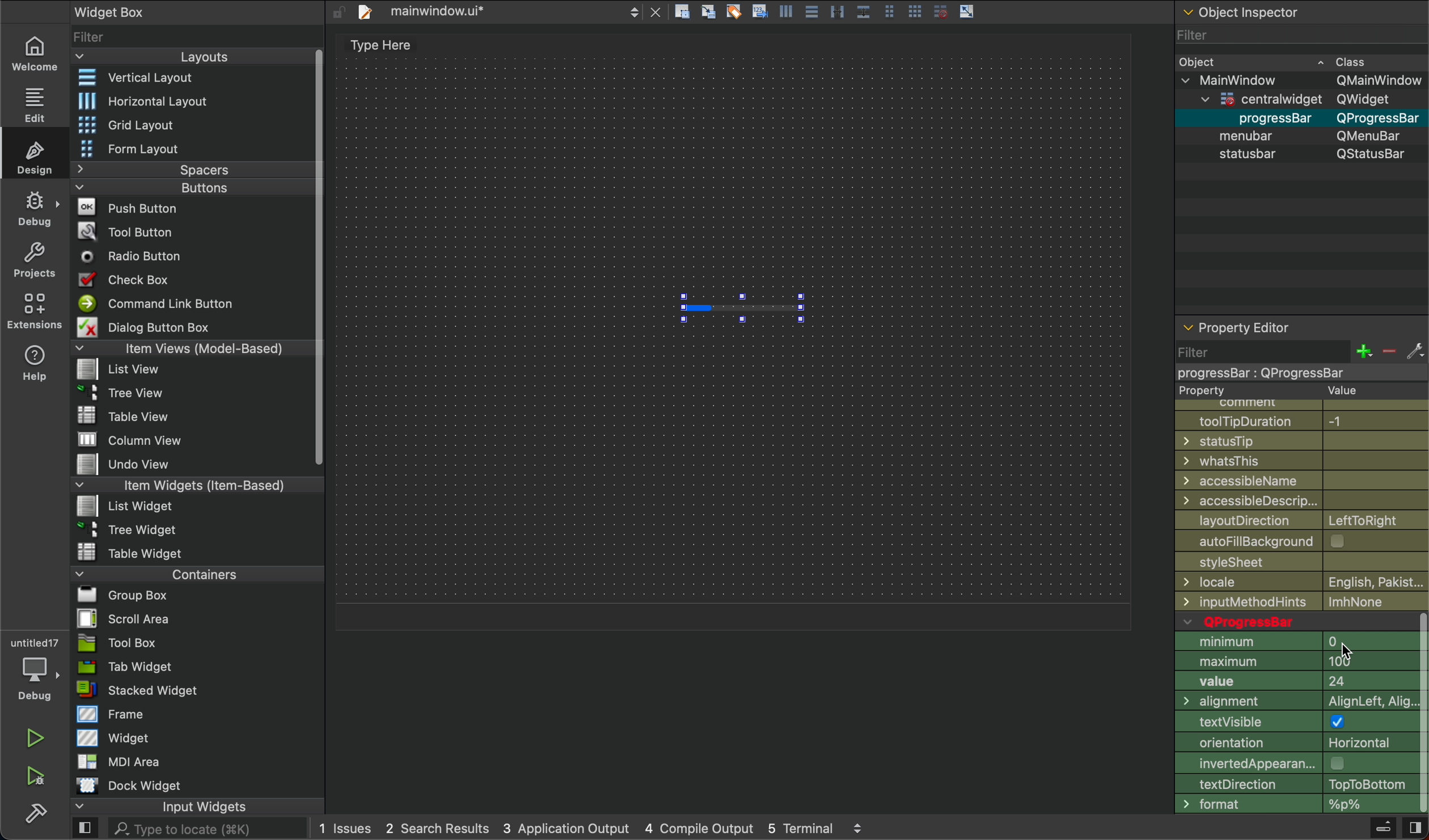 The image size is (1429, 840). I want to click on Command button, so click(161, 303).